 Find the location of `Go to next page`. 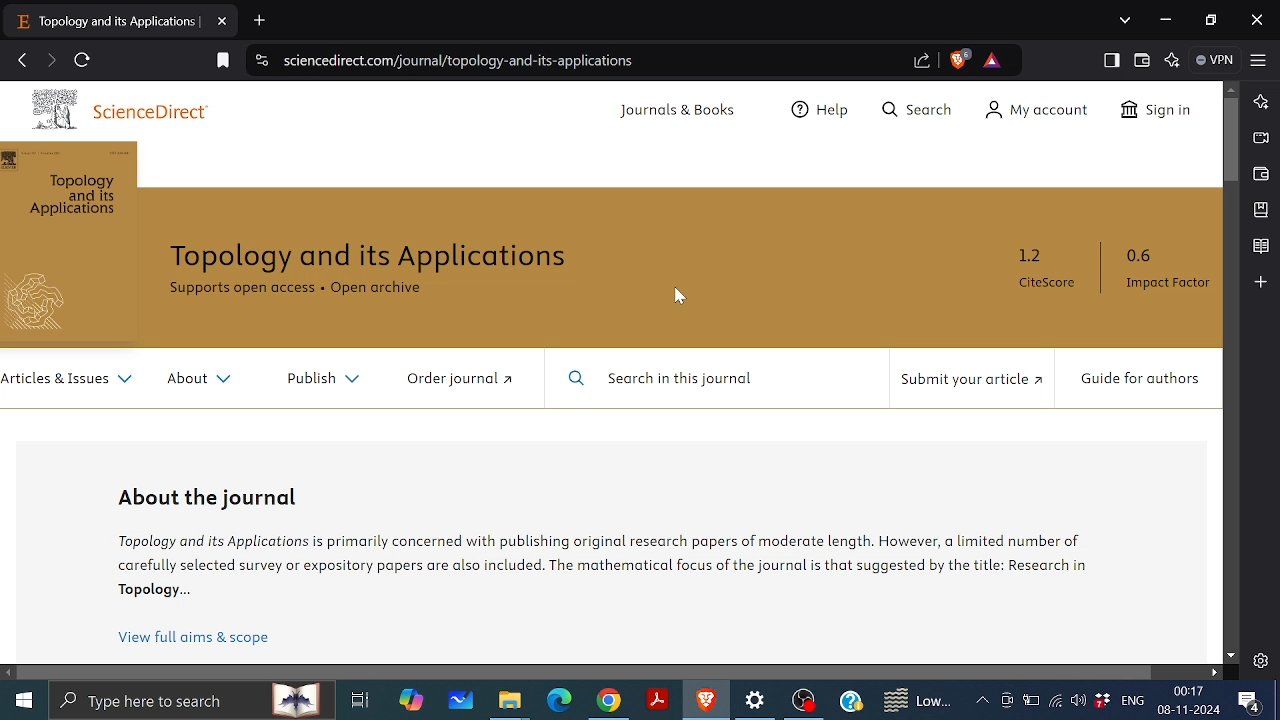

Go to next page is located at coordinates (50, 62).